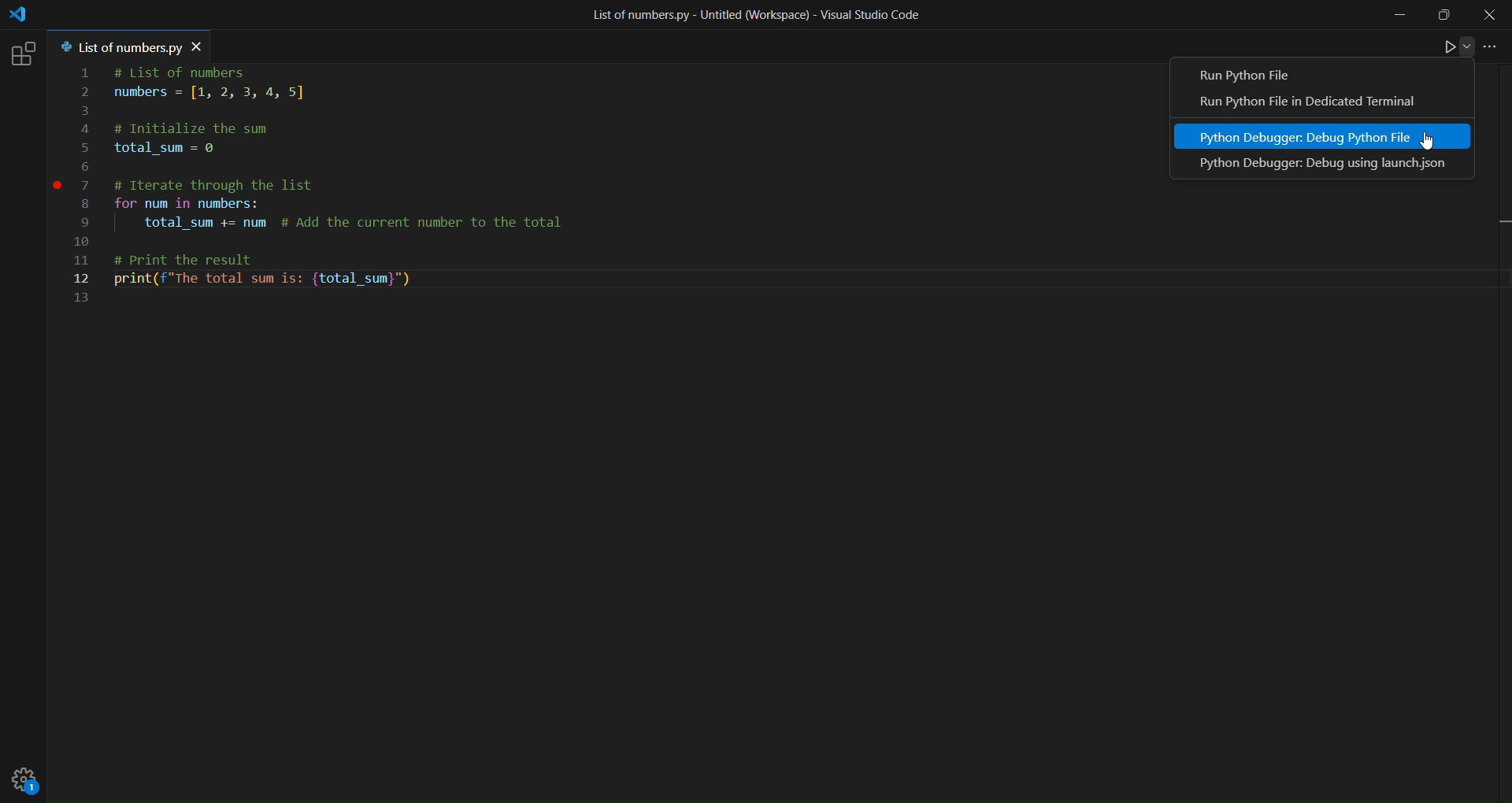 The width and height of the screenshot is (1512, 803). I want to click on run python file, so click(1256, 76).